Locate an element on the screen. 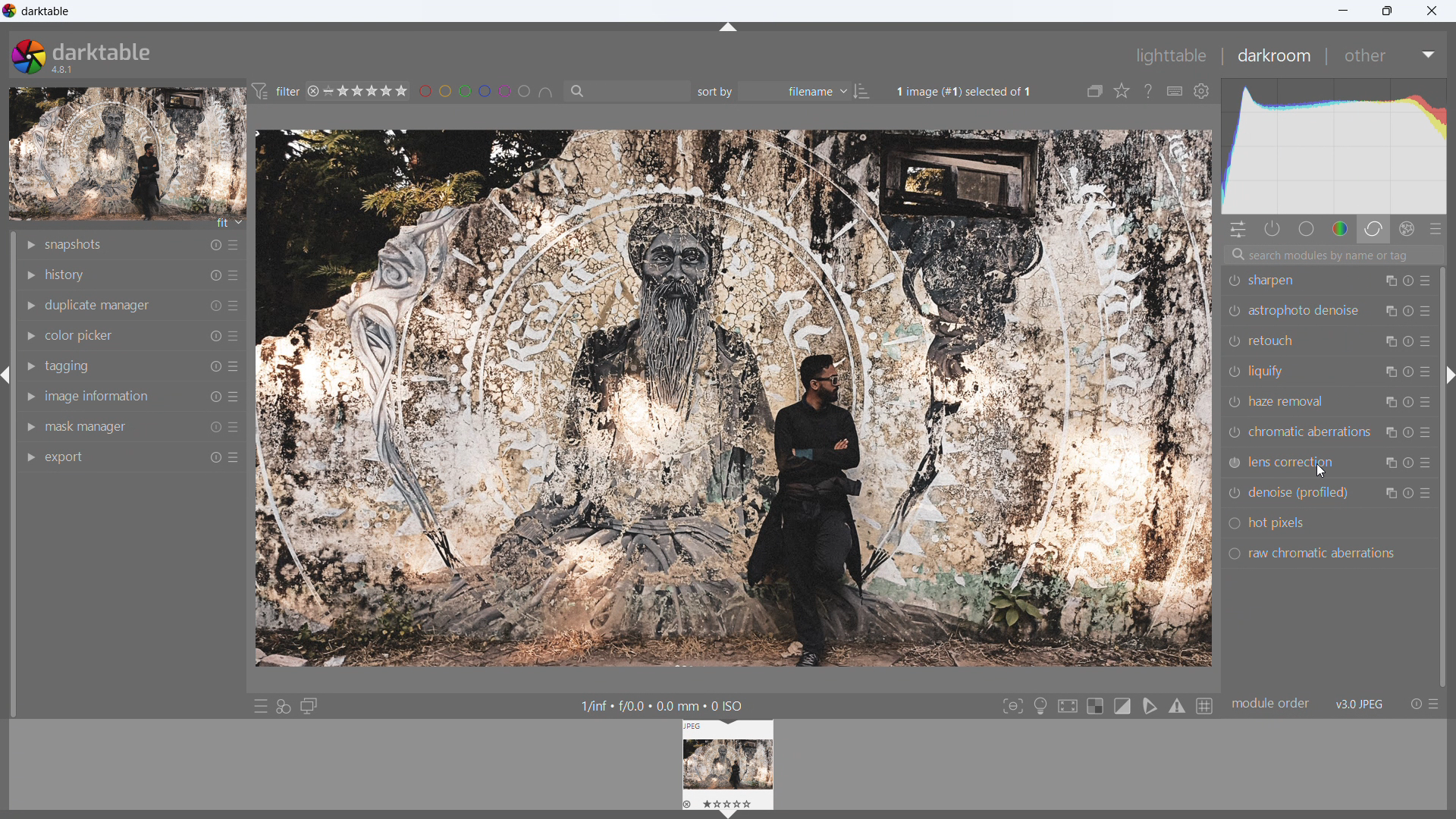 The width and height of the screenshot is (1456, 819). export is located at coordinates (65, 457).